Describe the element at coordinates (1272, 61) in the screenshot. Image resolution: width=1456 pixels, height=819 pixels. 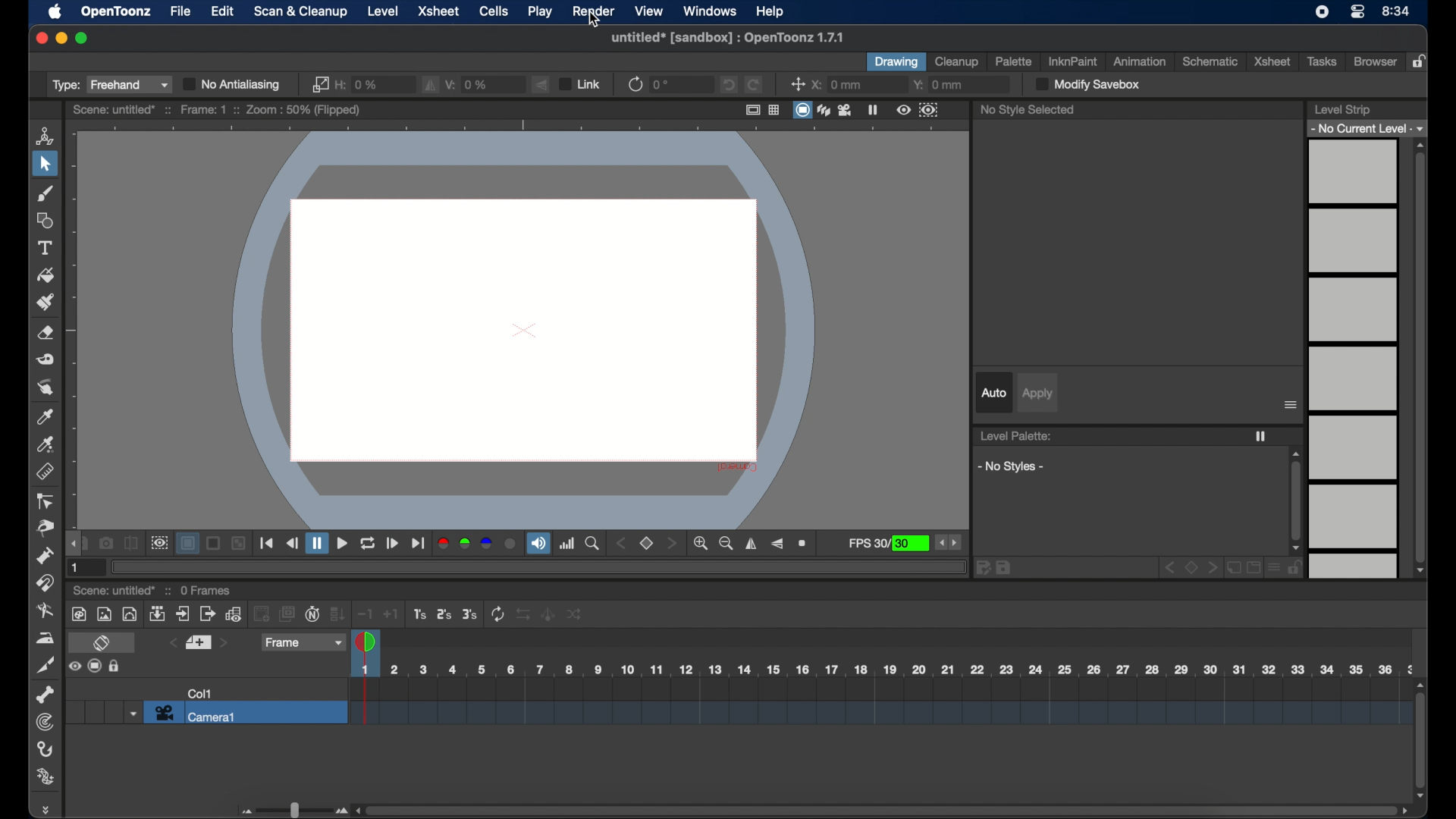
I see `xsheet` at that location.